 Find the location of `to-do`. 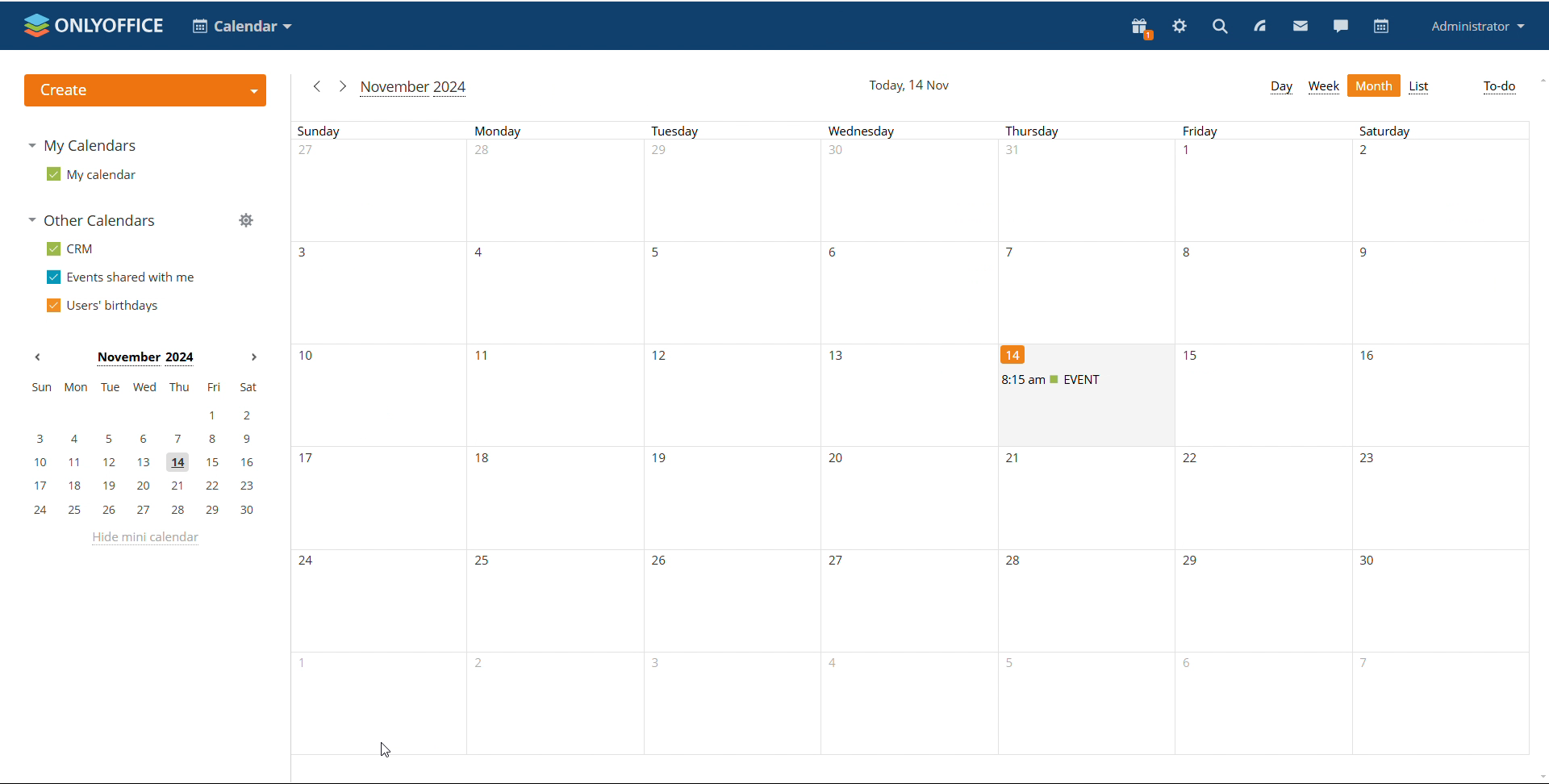

to-do is located at coordinates (1500, 87).